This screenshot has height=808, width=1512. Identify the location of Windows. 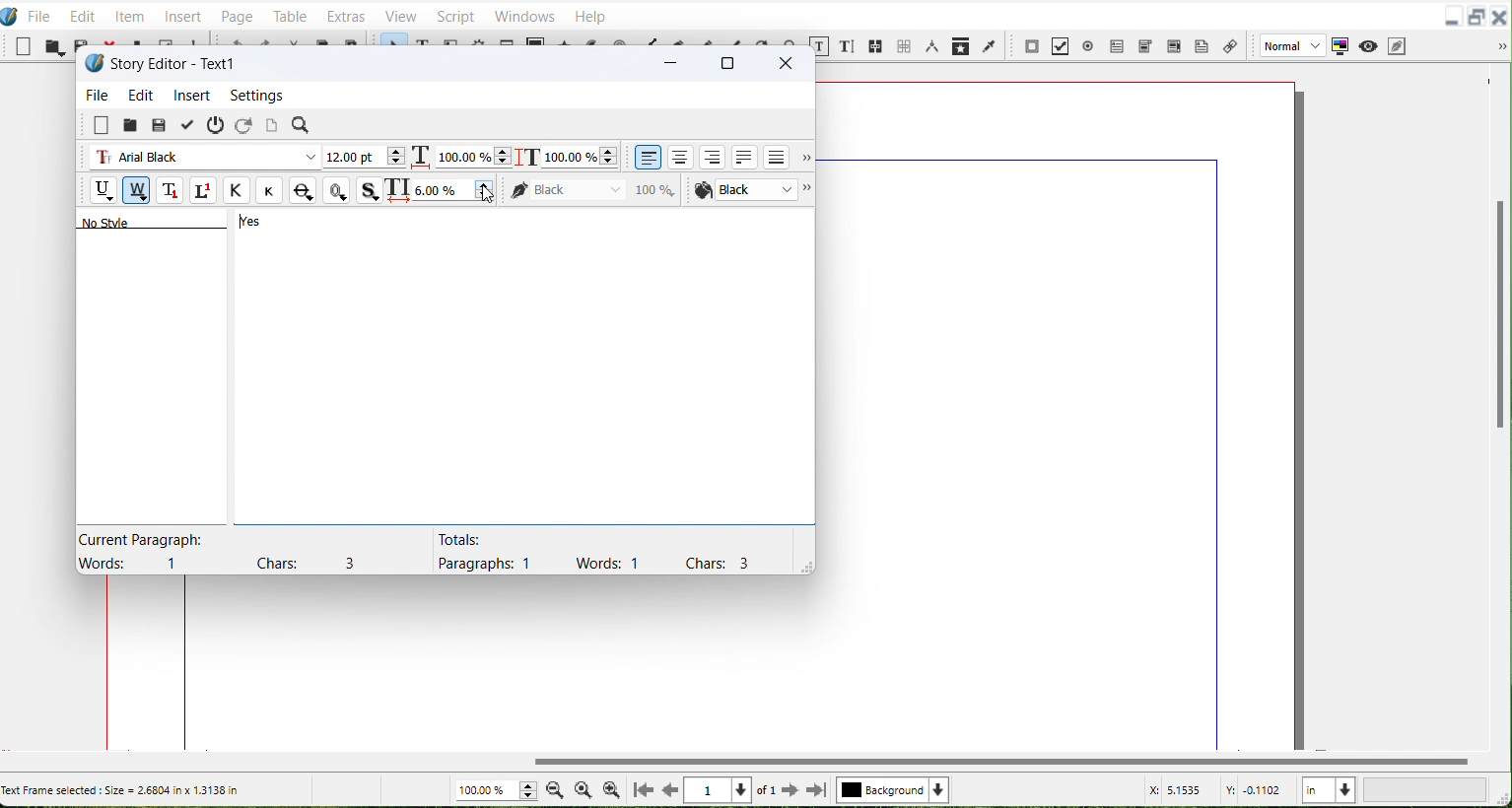
(523, 15).